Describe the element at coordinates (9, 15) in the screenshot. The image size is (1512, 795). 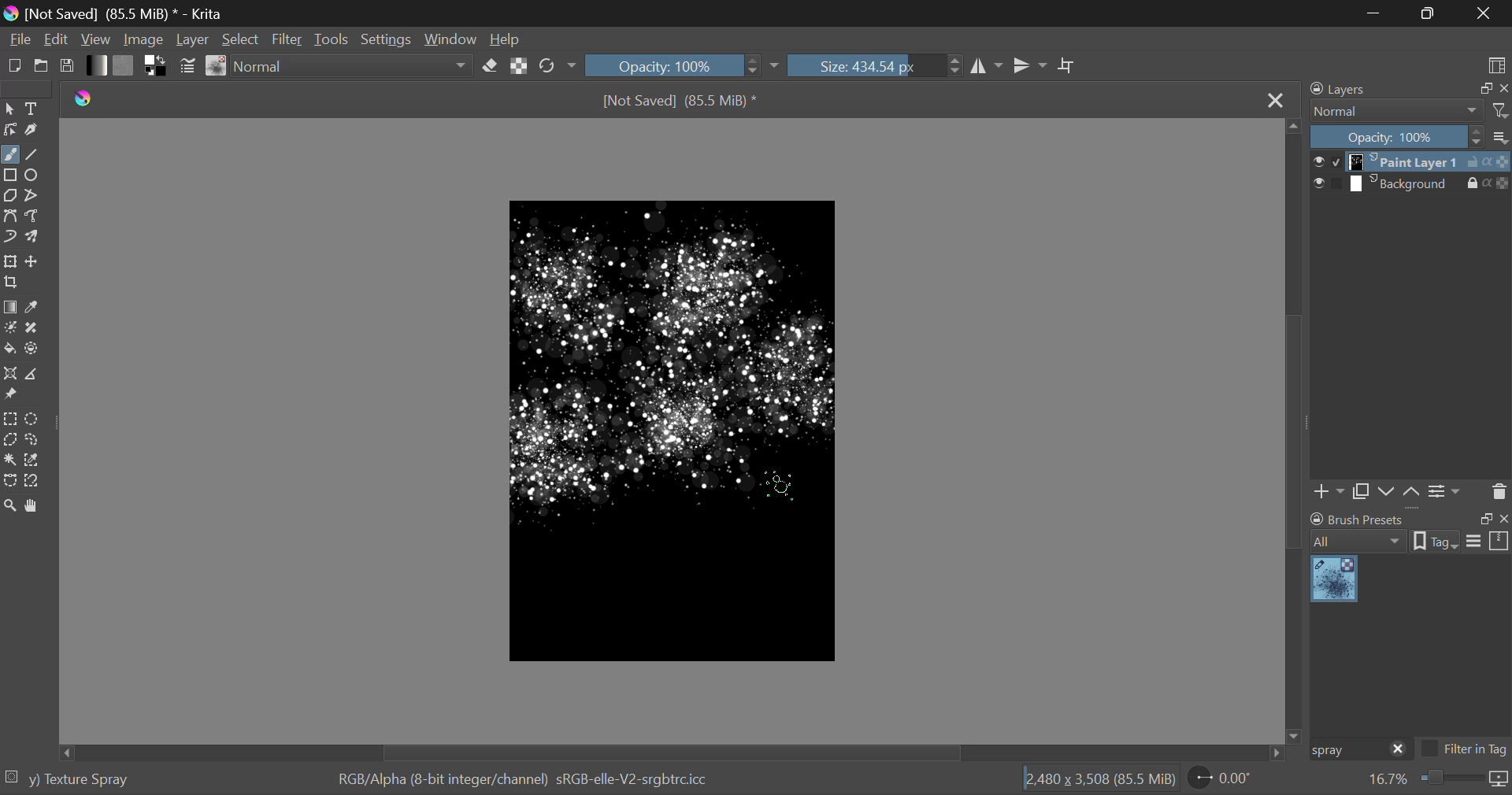
I see `logo` at that location.